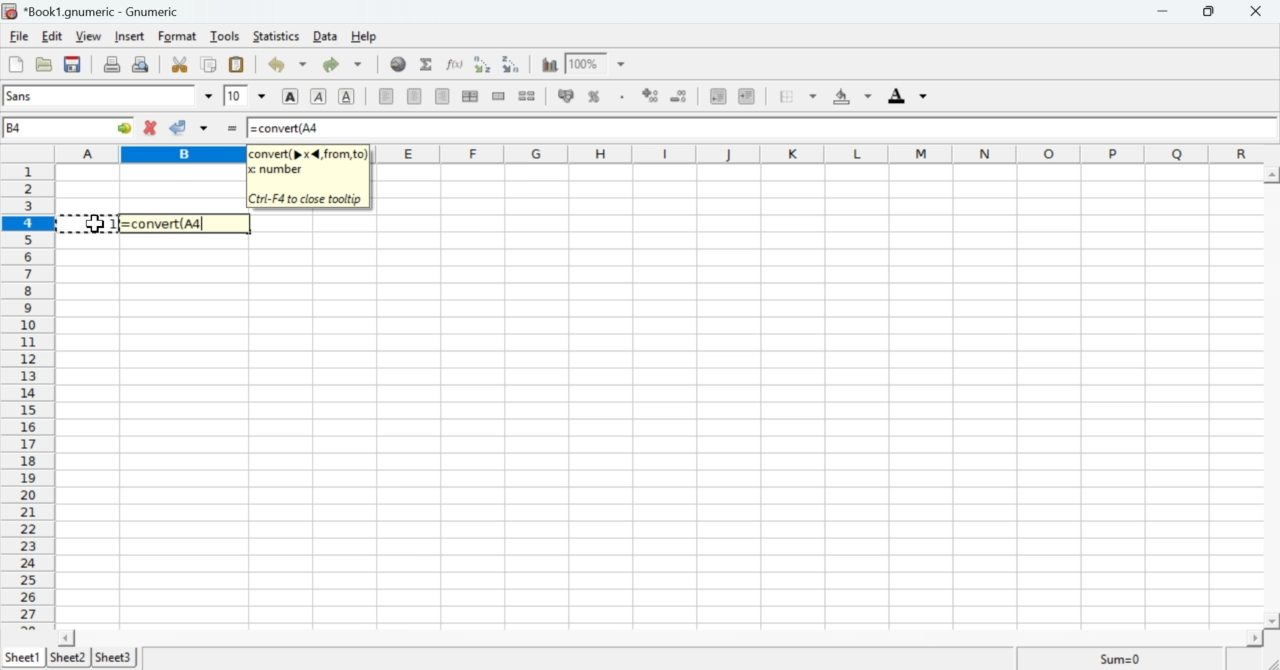 This screenshot has height=670, width=1280. Describe the element at coordinates (1258, 12) in the screenshot. I see `Cross` at that location.